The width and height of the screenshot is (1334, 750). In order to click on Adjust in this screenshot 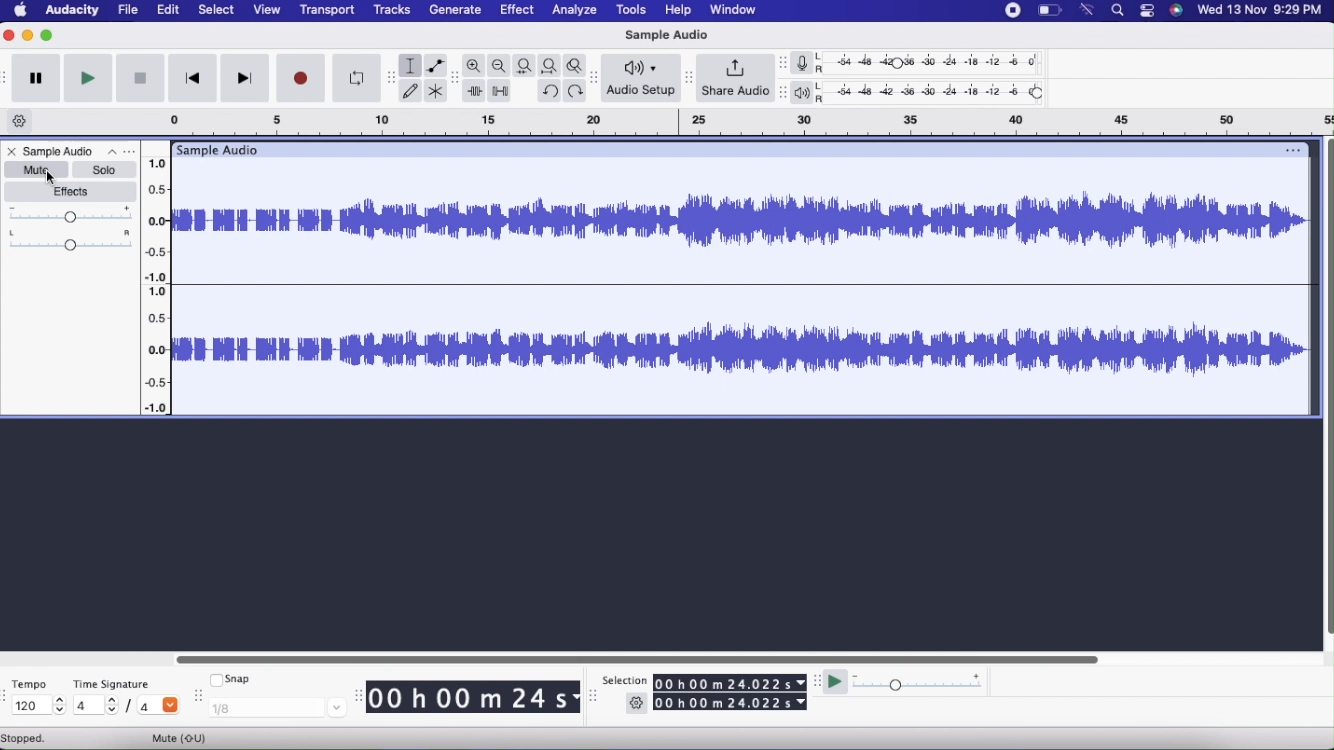, I will do `click(595, 75)`.